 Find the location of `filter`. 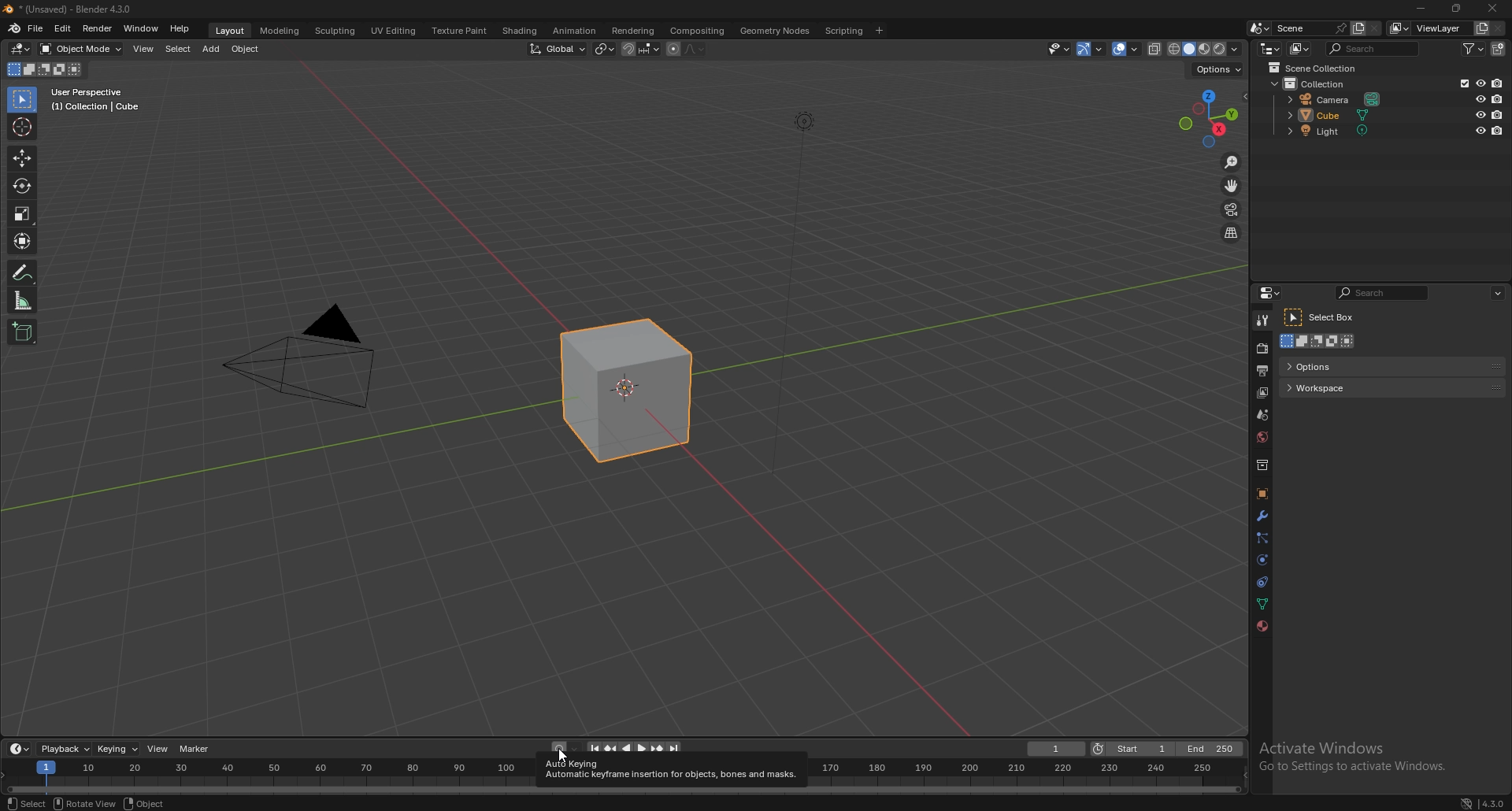

filter is located at coordinates (1473, 48).